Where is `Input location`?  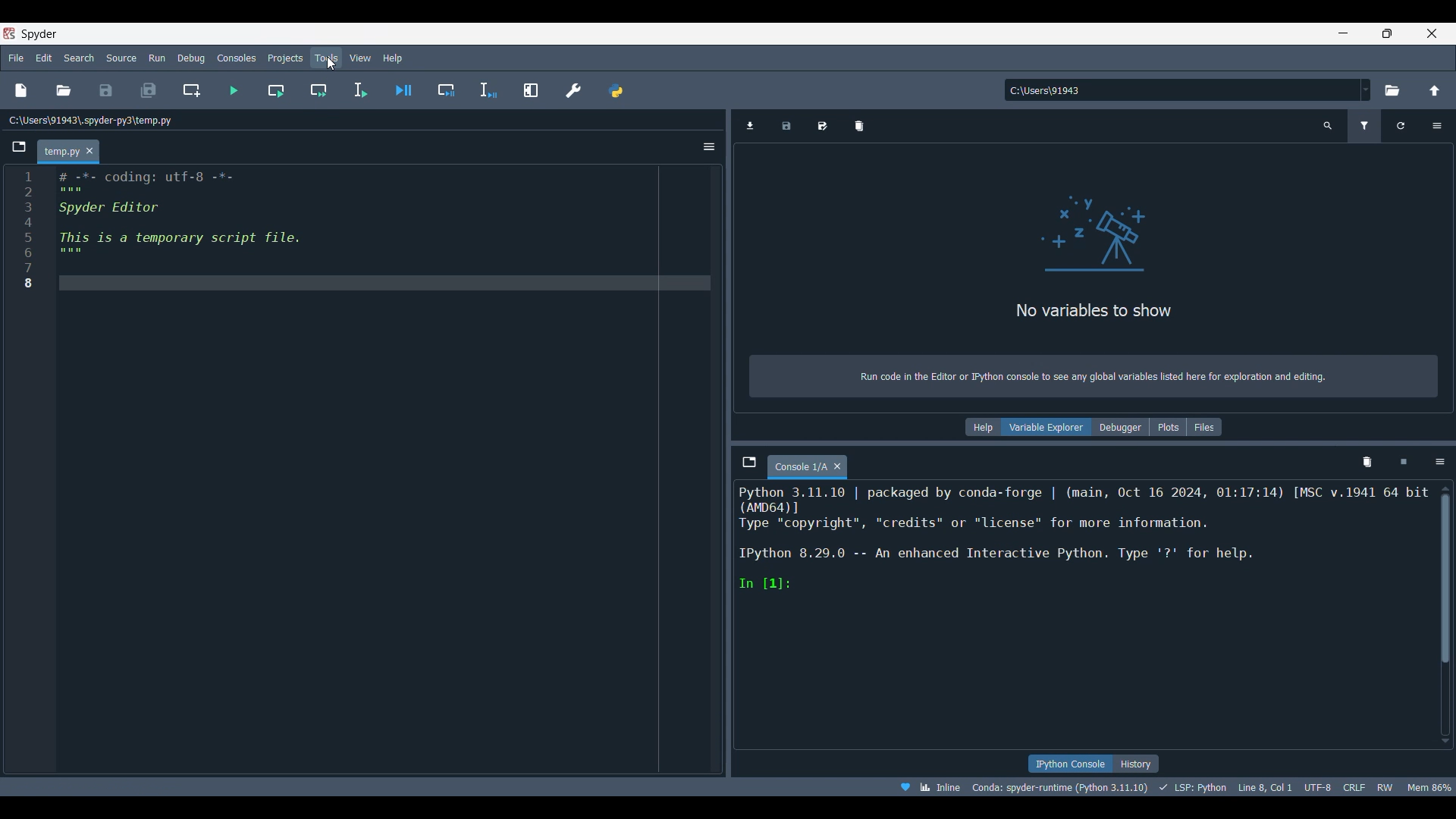 Input location is located at coordinates (1181, 90).